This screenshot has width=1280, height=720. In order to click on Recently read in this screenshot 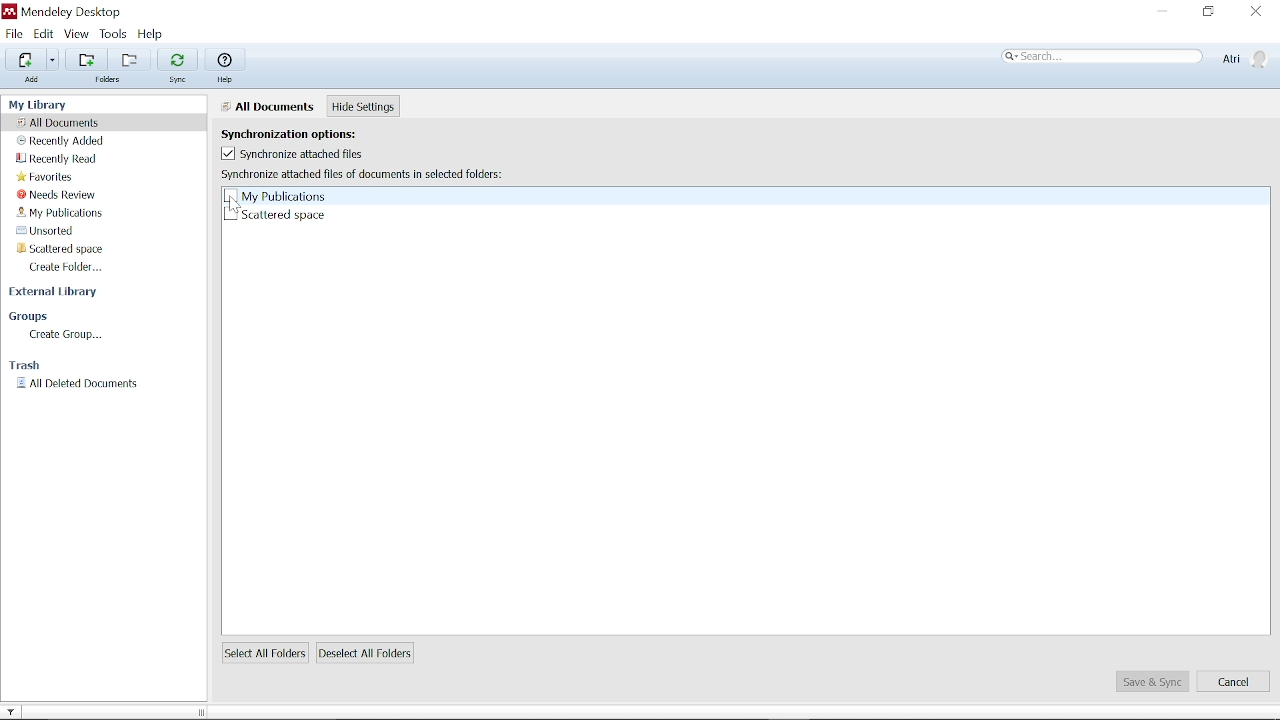, I will do `click(59, 158)`.